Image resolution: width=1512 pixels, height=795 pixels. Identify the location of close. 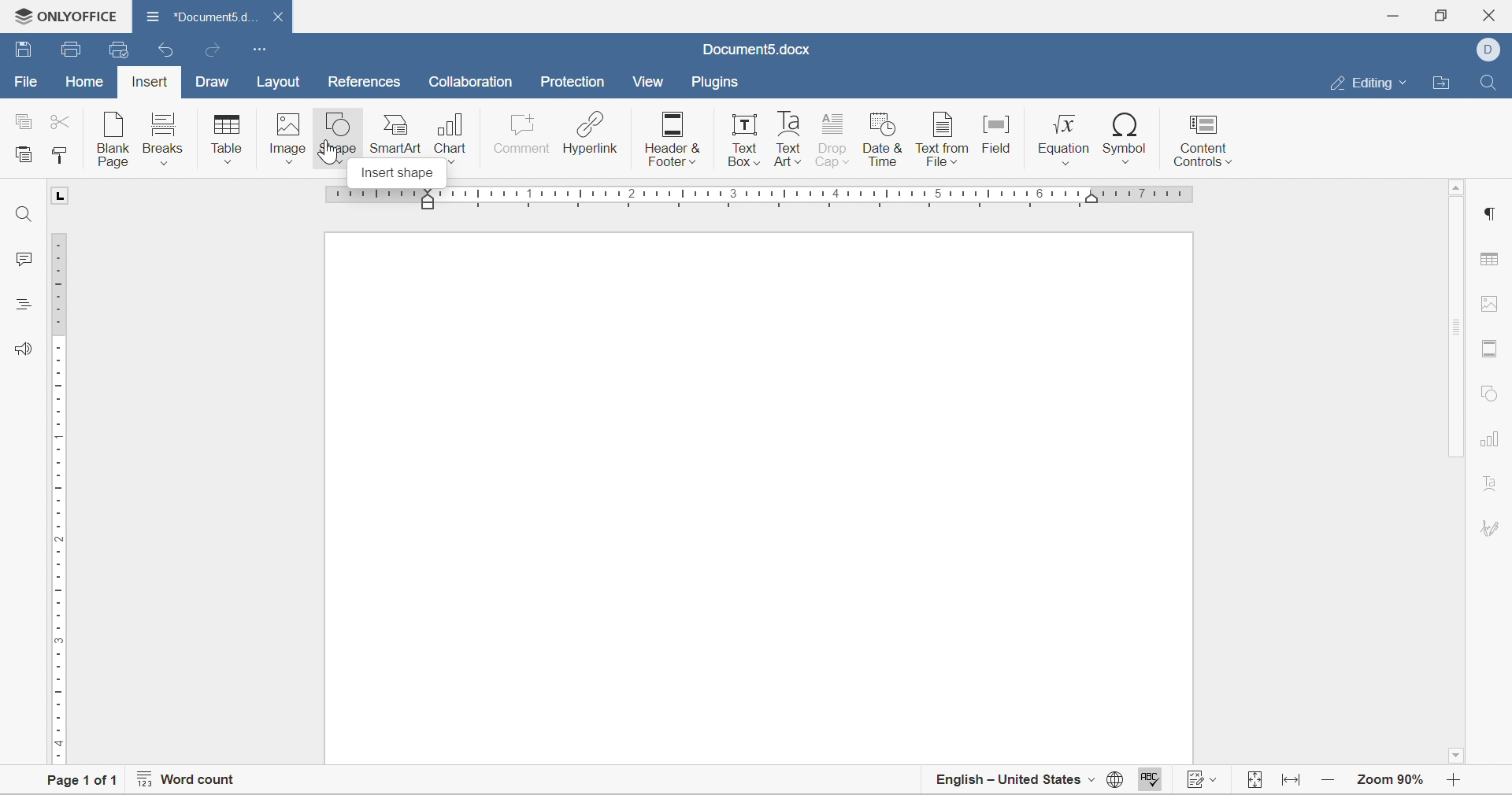
(279, 18).